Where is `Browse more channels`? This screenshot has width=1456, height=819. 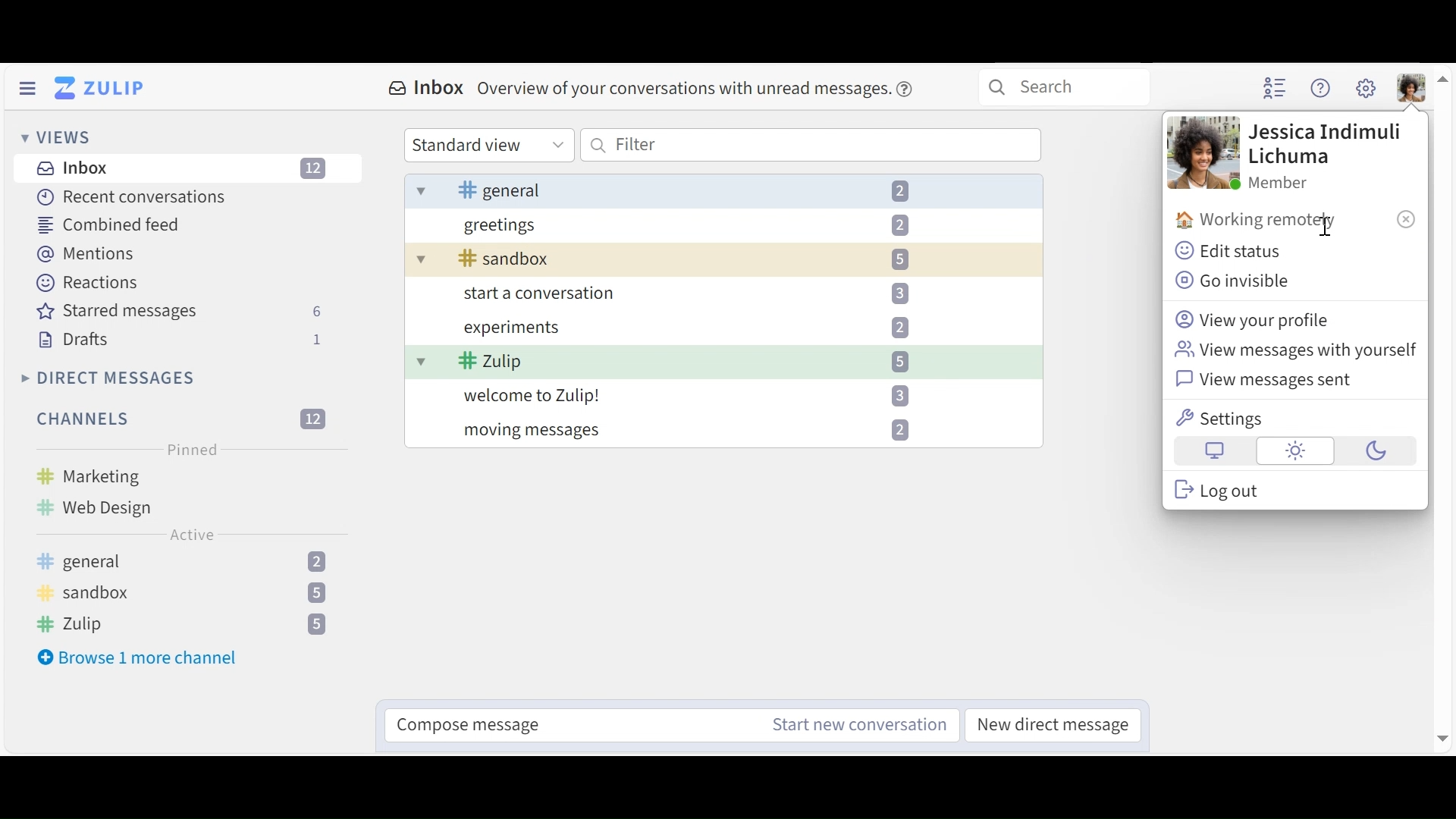
Browse more channels is located at coordinates (140, 659).